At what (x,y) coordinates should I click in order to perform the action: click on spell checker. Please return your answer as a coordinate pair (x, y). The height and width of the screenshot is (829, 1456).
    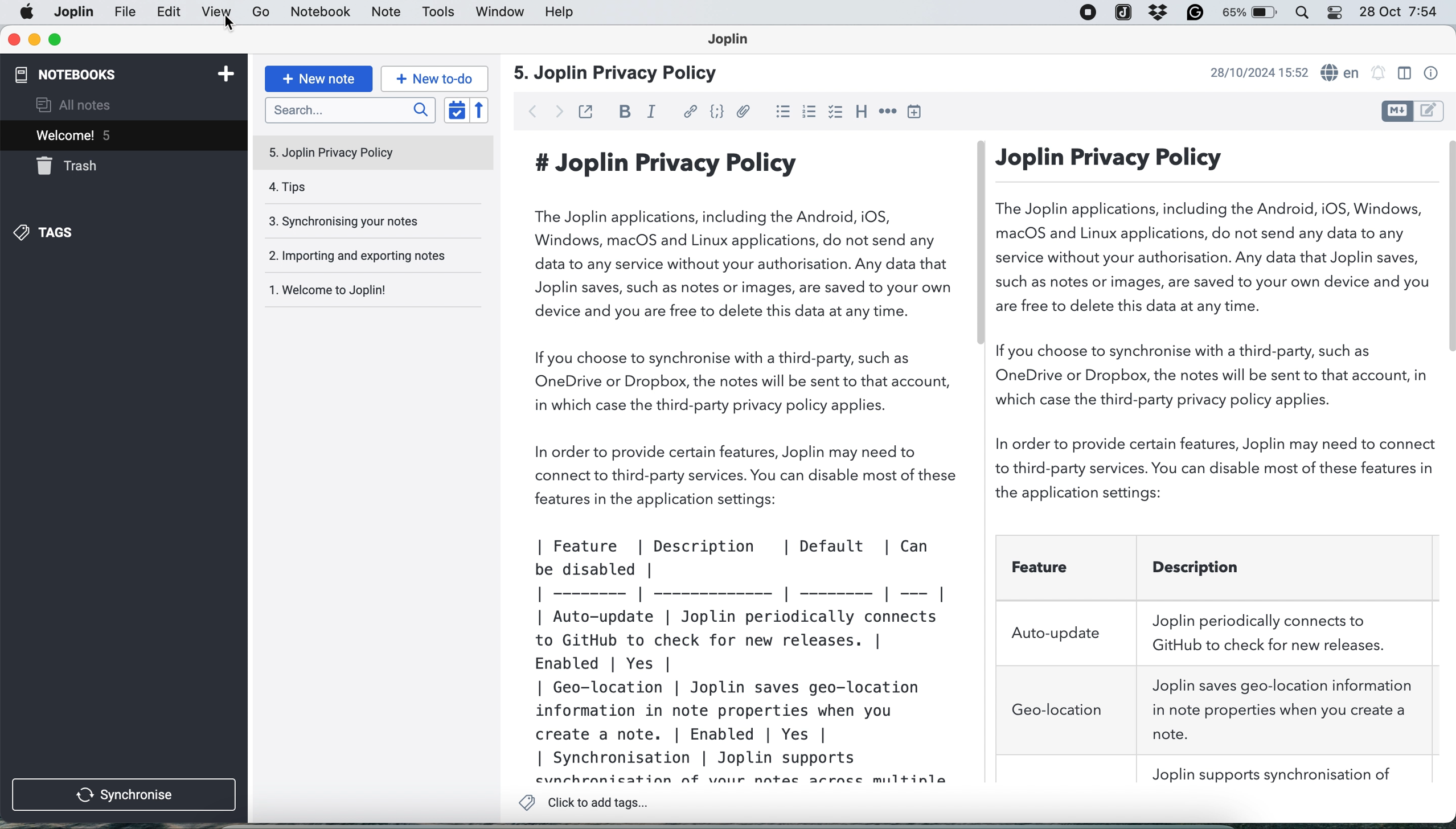
    Looking at the image, I should click on (1342, 73).